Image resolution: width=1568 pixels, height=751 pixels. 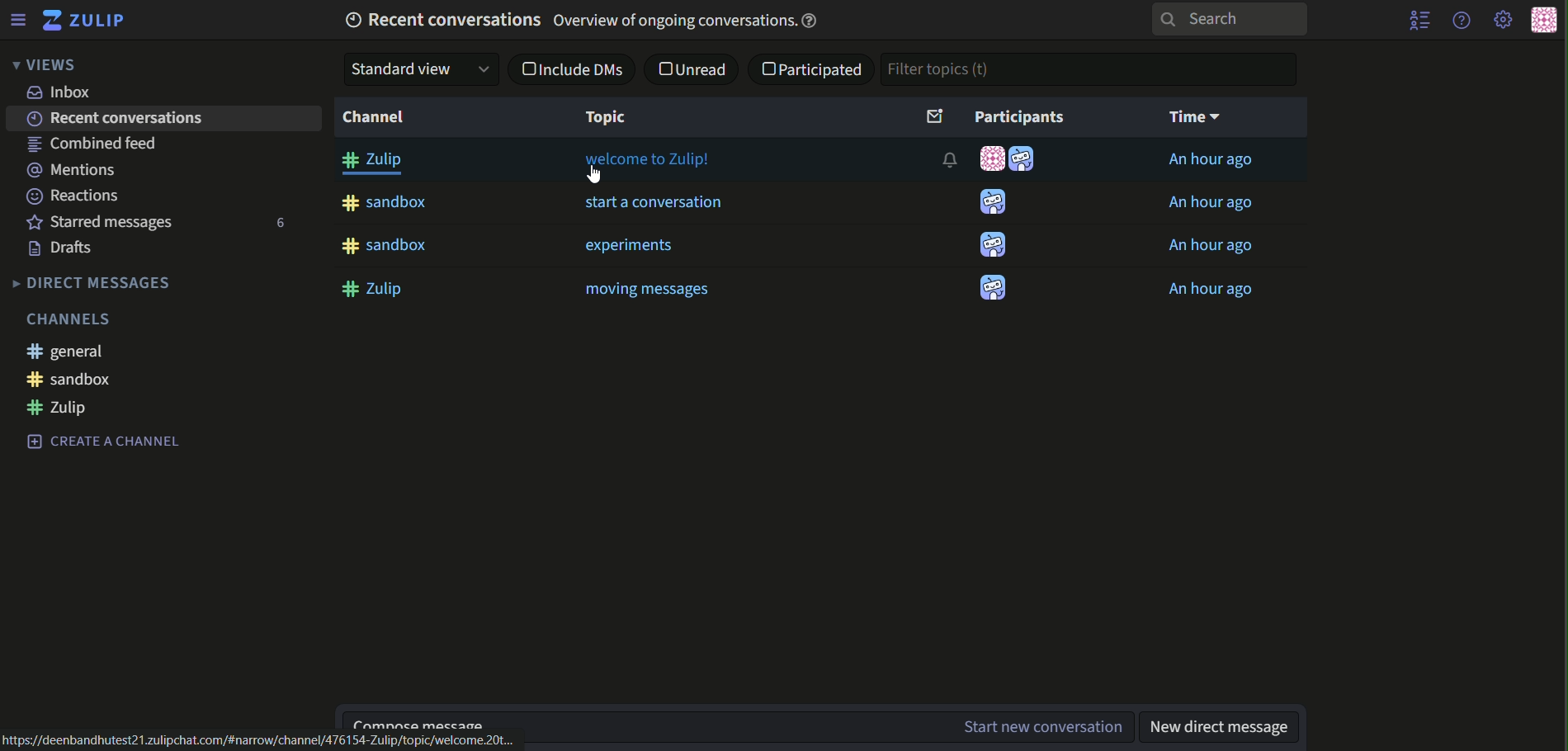 I want to click on search bar, so click(x=1092, y=69).